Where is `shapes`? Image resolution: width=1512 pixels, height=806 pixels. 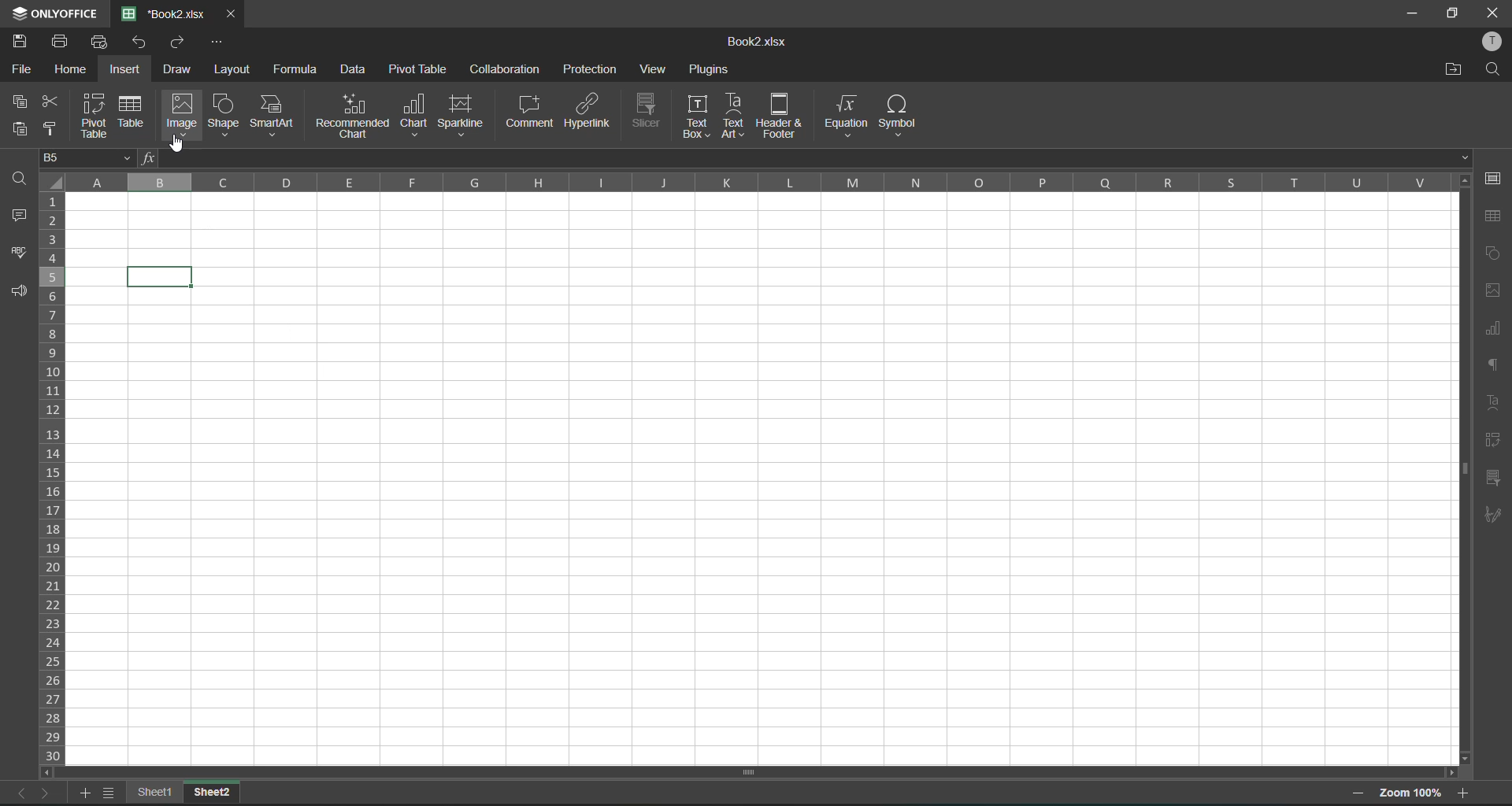
shapes is located at coordinates (1492, 257).